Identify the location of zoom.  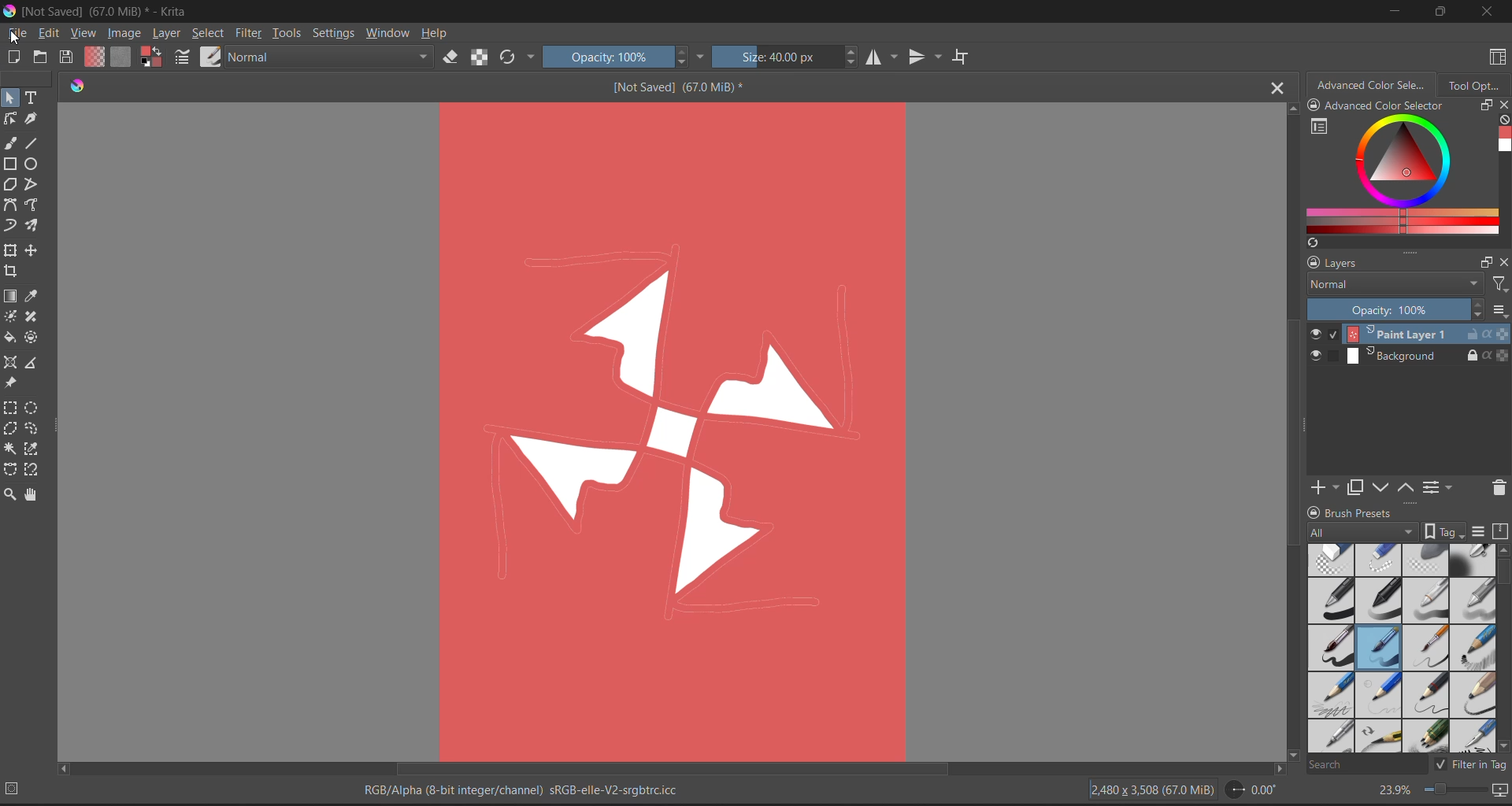
(1458, 791).